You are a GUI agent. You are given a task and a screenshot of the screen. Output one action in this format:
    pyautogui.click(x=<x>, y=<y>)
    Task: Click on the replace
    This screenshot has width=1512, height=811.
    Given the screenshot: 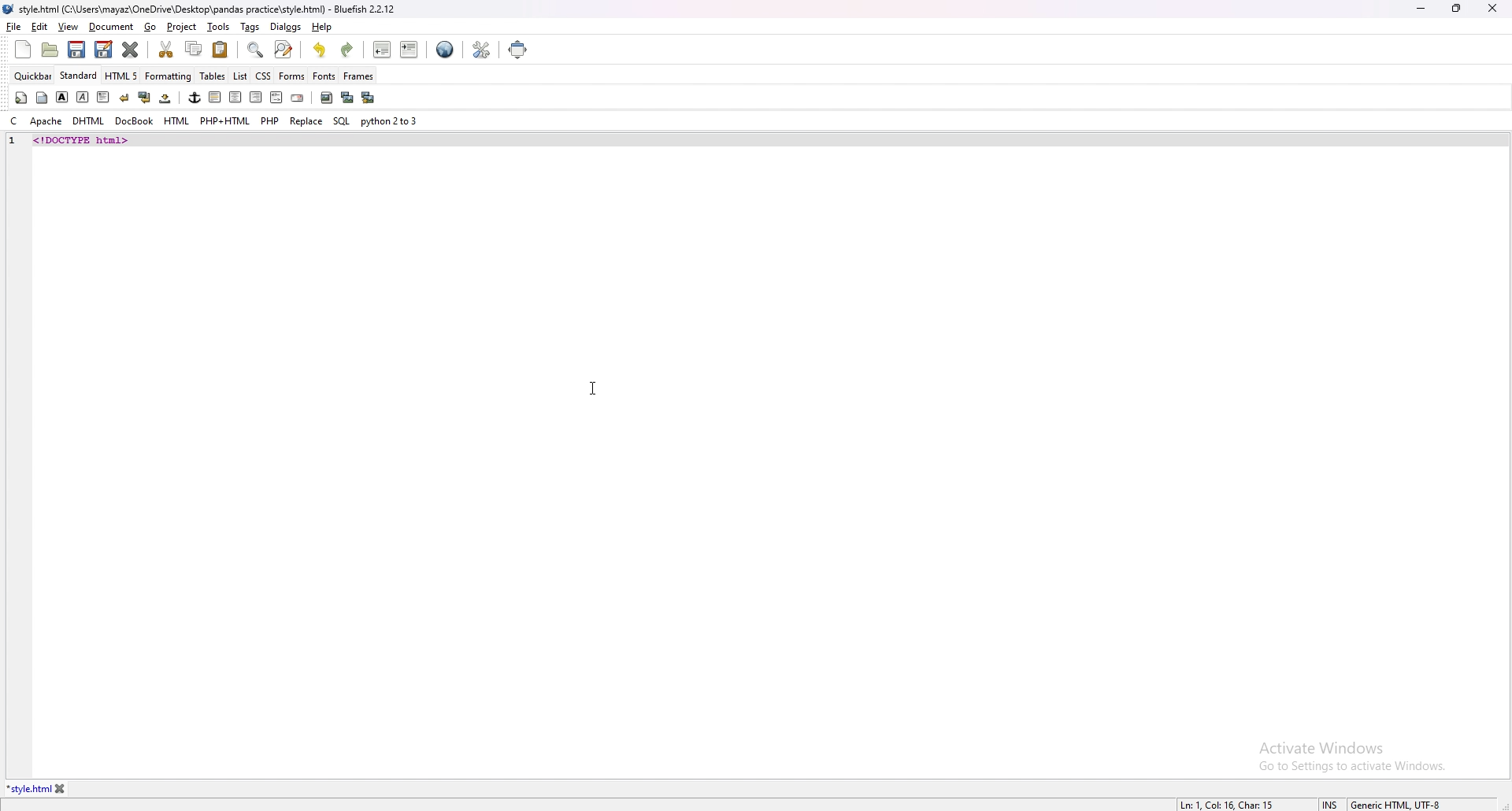 What is the action you would take?
    pyautogui.click(x=306, y=120)
    